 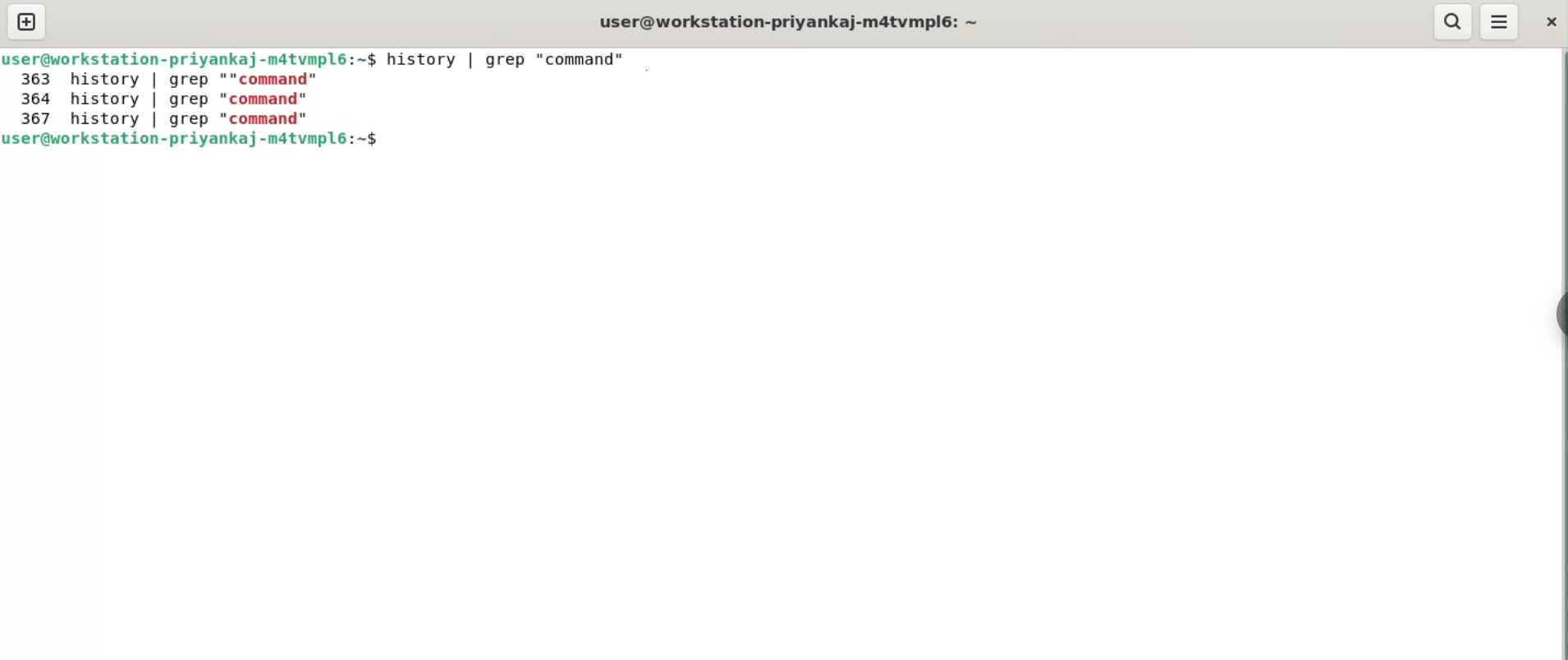 I want to click on sidebar, so click(x=1558, y=315).